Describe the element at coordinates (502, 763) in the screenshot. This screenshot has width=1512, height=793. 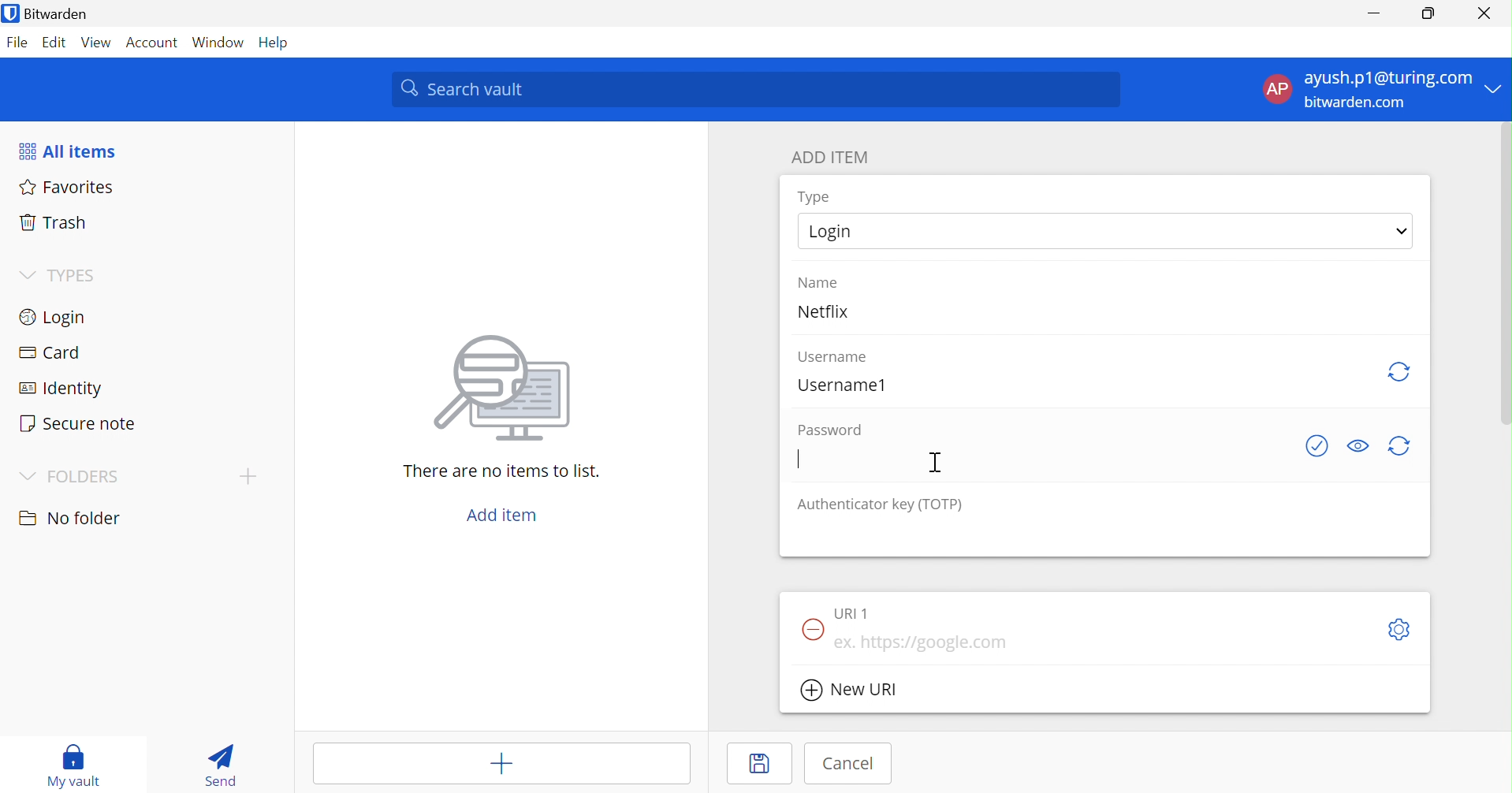
I see `Add item` at that location.